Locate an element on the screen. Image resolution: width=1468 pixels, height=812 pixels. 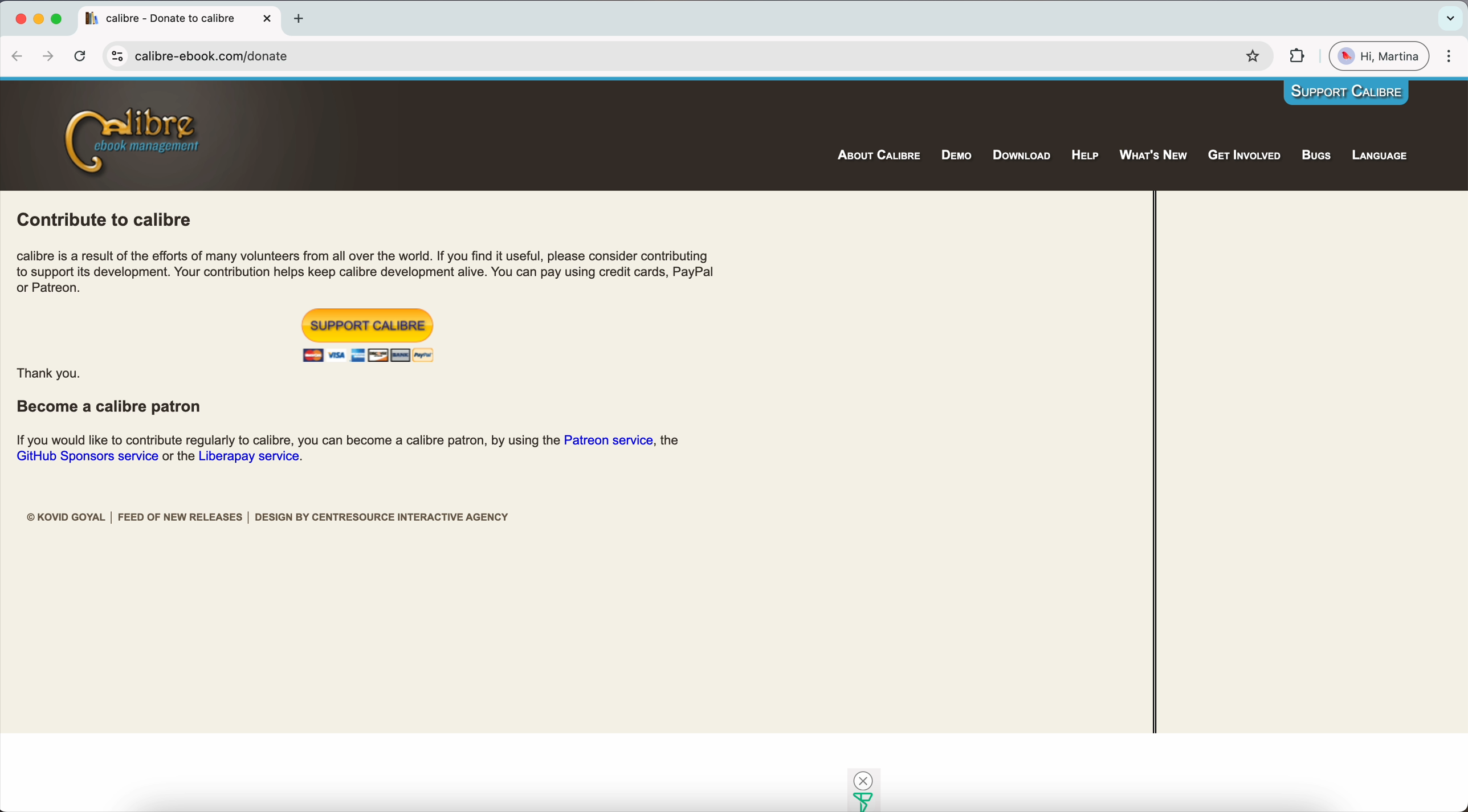
KOVID GOYAL | FEED OF NEW RELEASES | DESIGN BY CENTRESOURCE INTERACTIVE AGENCY is located at coordinates (269, 518).